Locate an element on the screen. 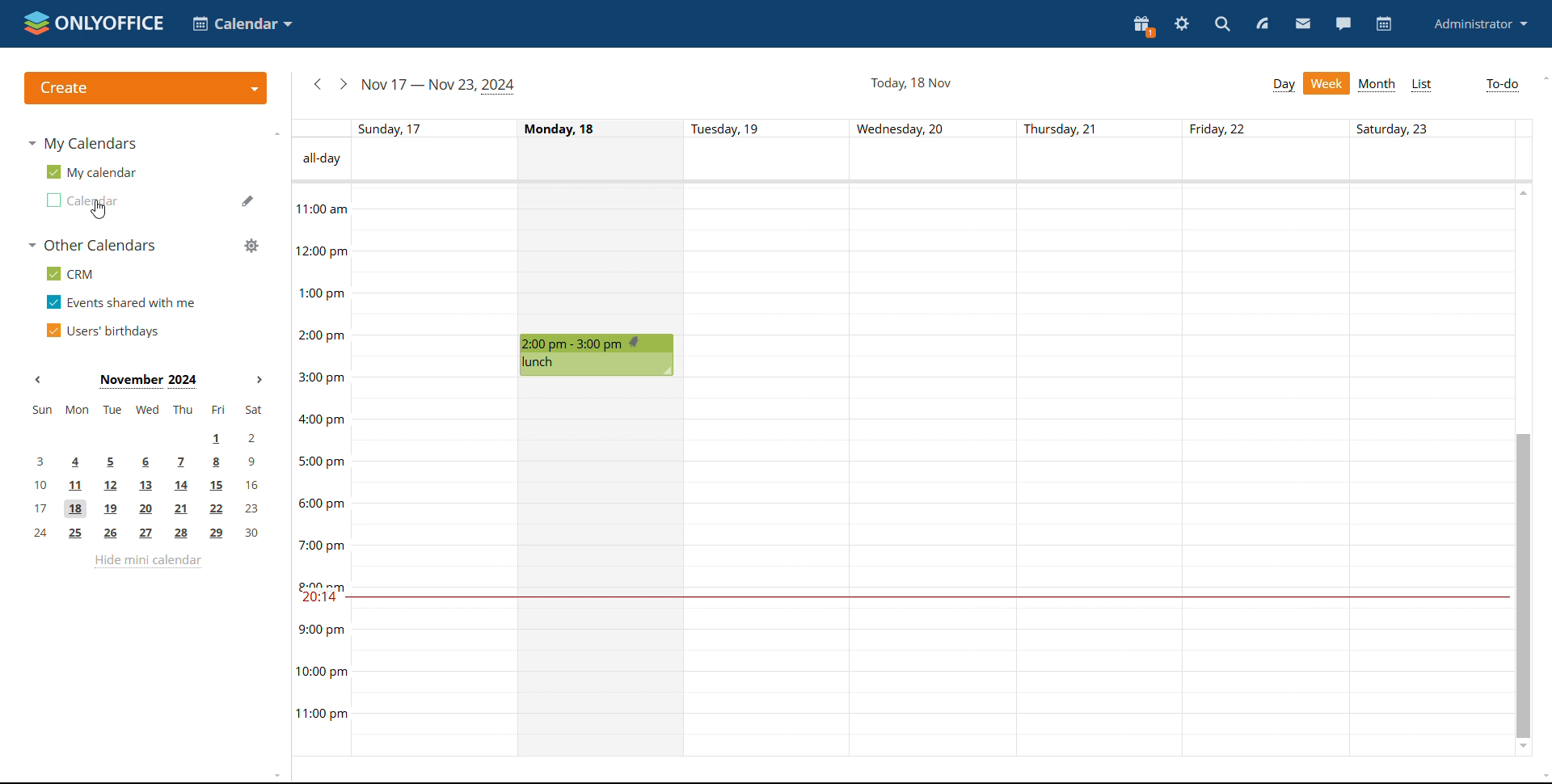 This screenshot has width=1552, height=784. Tuesday is located at coordinates (770, 472).